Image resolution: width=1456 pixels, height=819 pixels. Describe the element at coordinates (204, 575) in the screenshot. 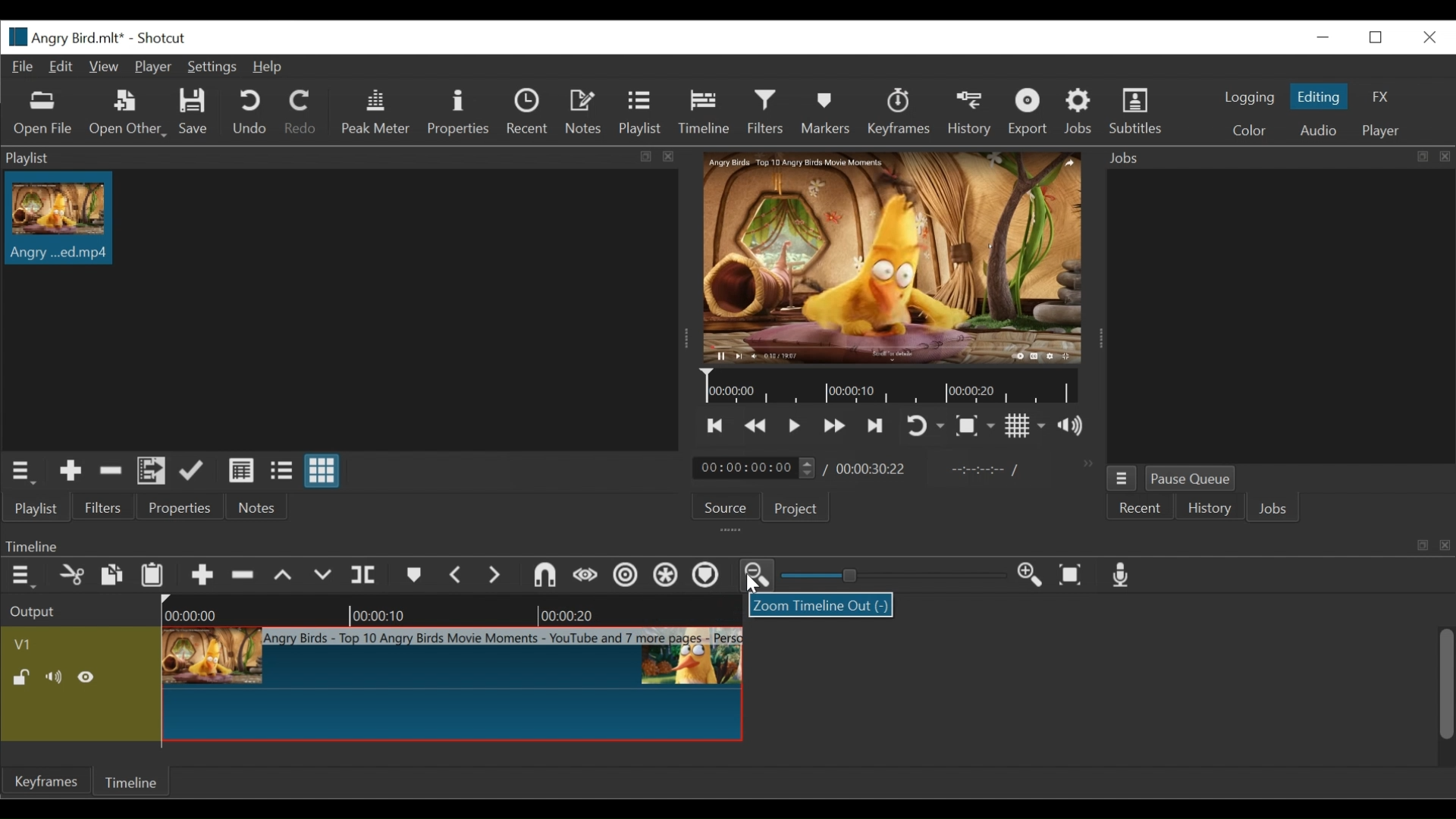

I see `Append` at that location.